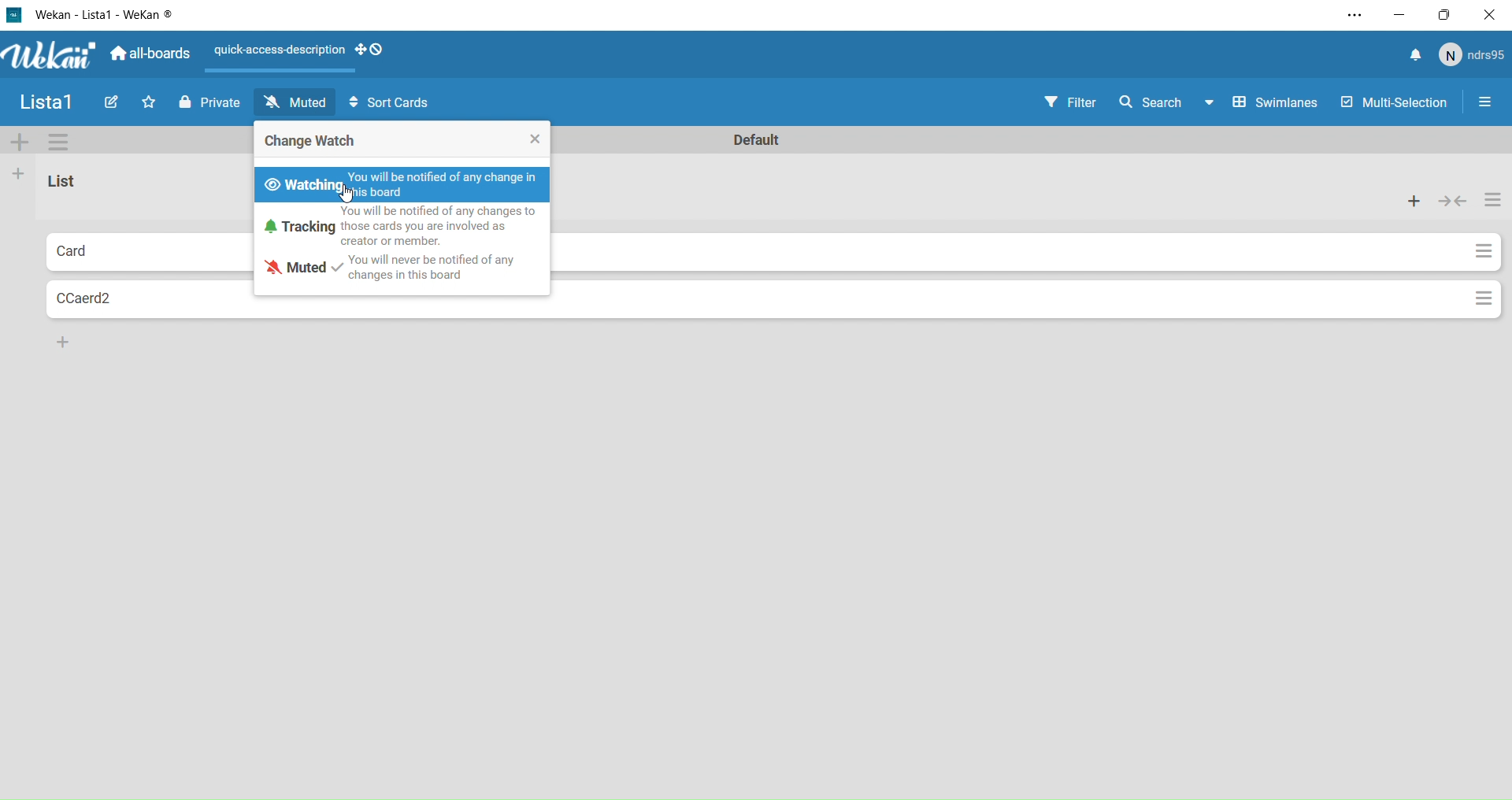  Describe the element at coordinates (403, 268) in the screenshot. I see `Muted` at that location.